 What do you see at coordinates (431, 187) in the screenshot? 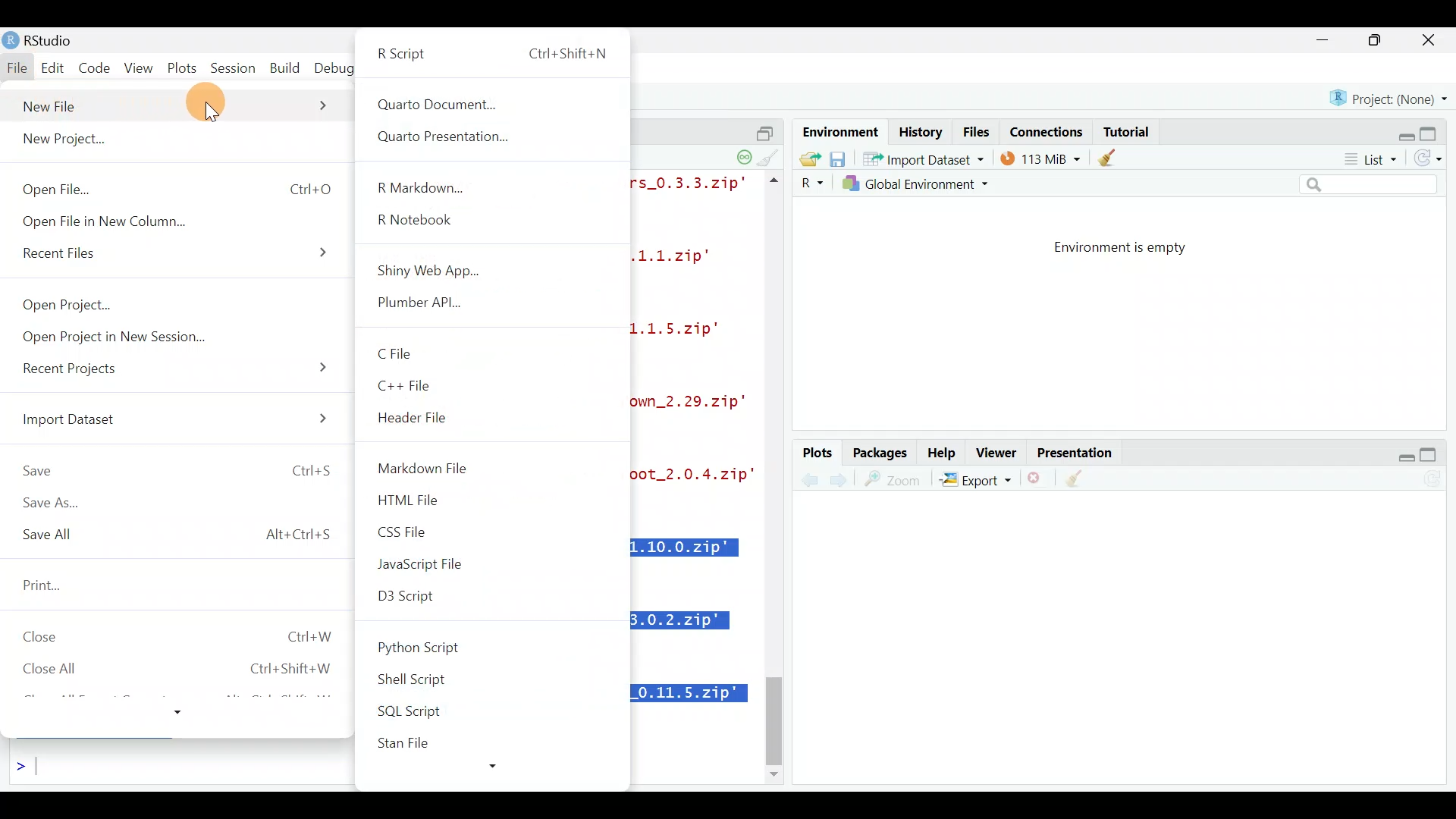
I see `R Markdown...` at bounding box center [431, 187].